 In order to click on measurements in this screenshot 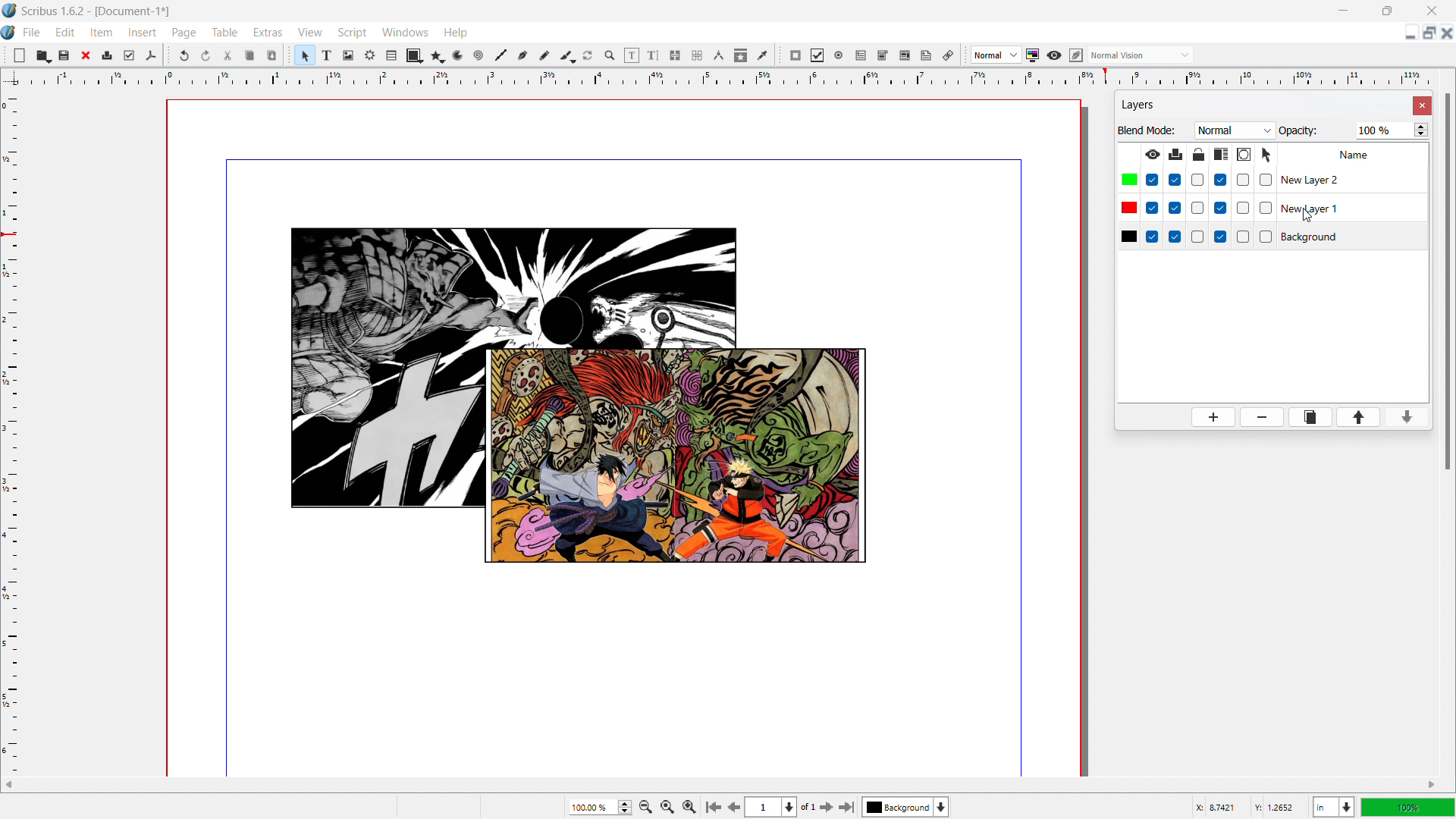, I will do `click(719, 55)`.